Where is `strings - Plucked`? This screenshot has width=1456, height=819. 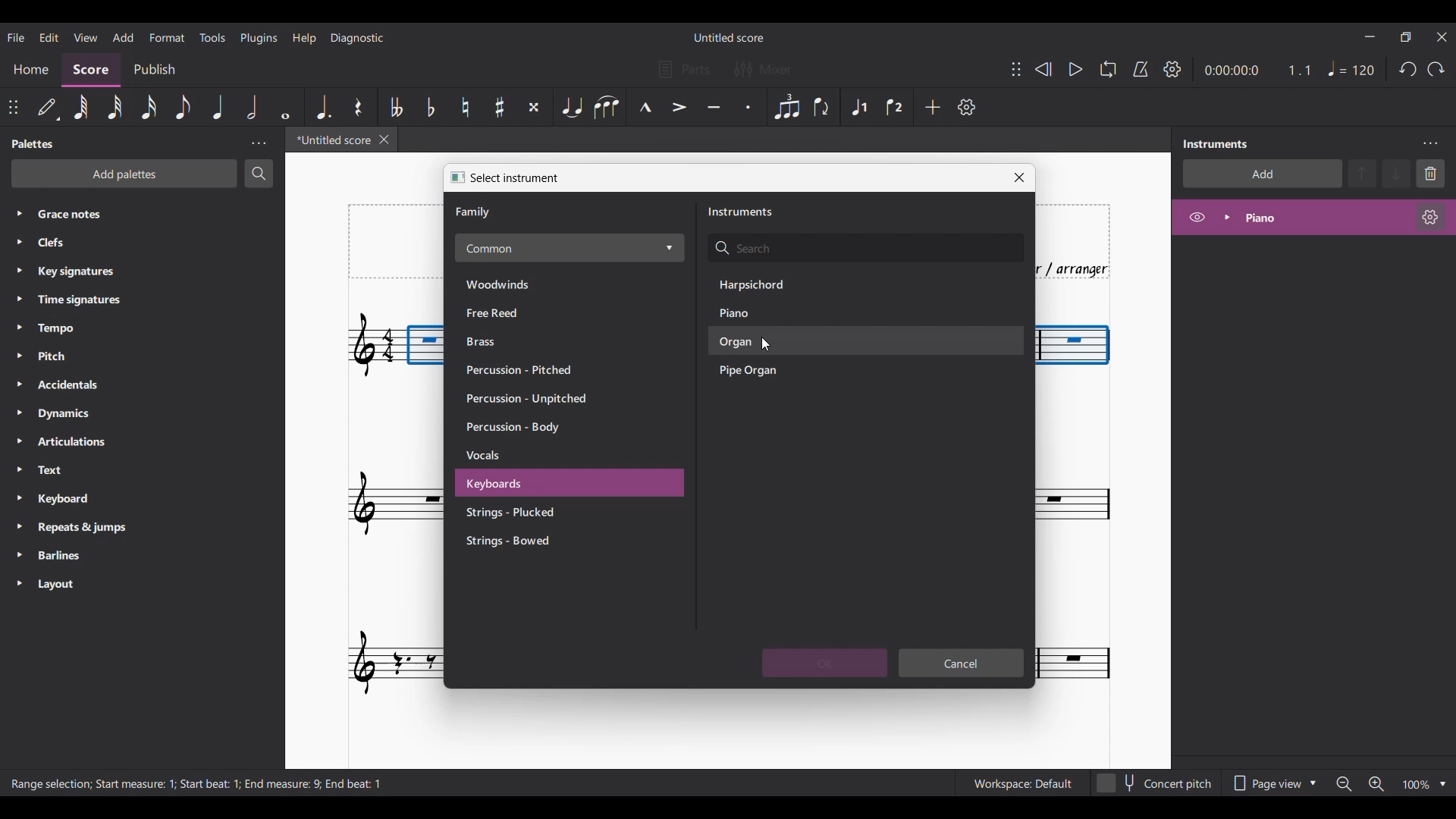
strings - Plucked is located at coordinates (526, 513).